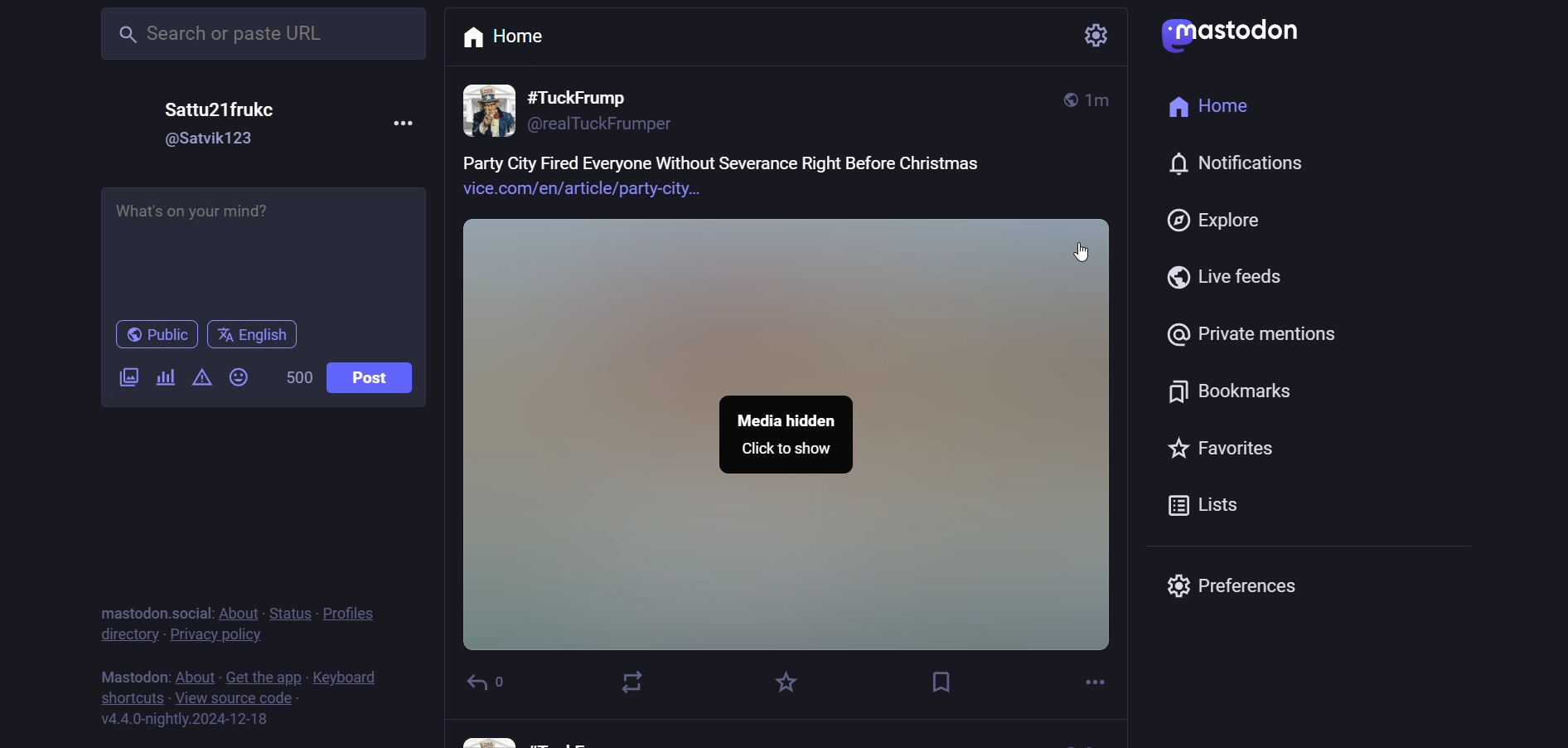 The width and height of the screenshot is (1568, 748). I want to click on text, so click(149, 607).